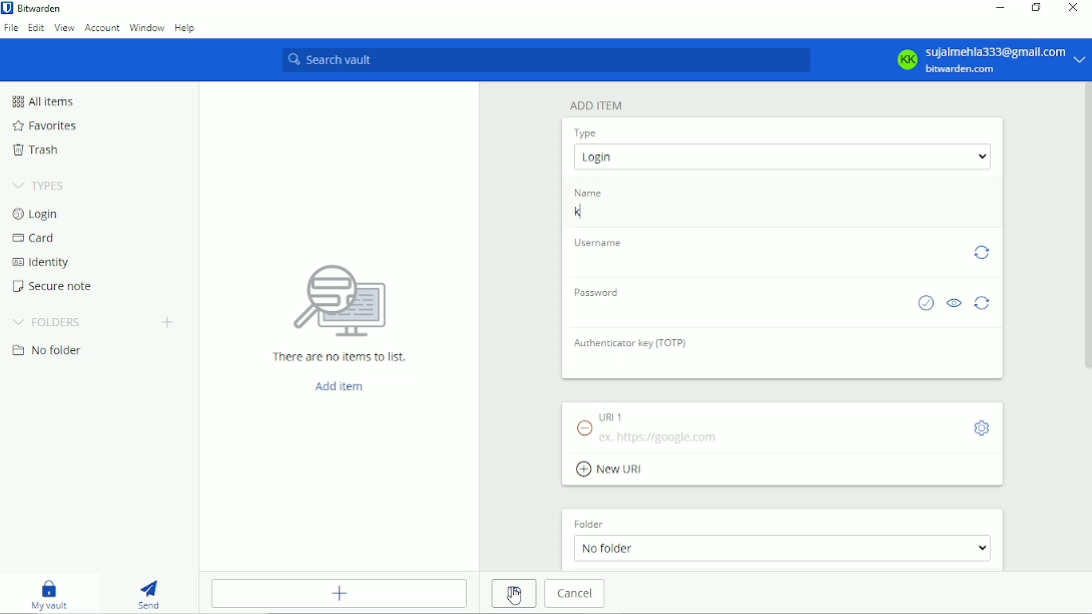 The height and width of the screenshot is (614, 1092). What do you see at coordinates (42, 263) in the screenshot?
I see `Identity` at bounding box center [42, 263].